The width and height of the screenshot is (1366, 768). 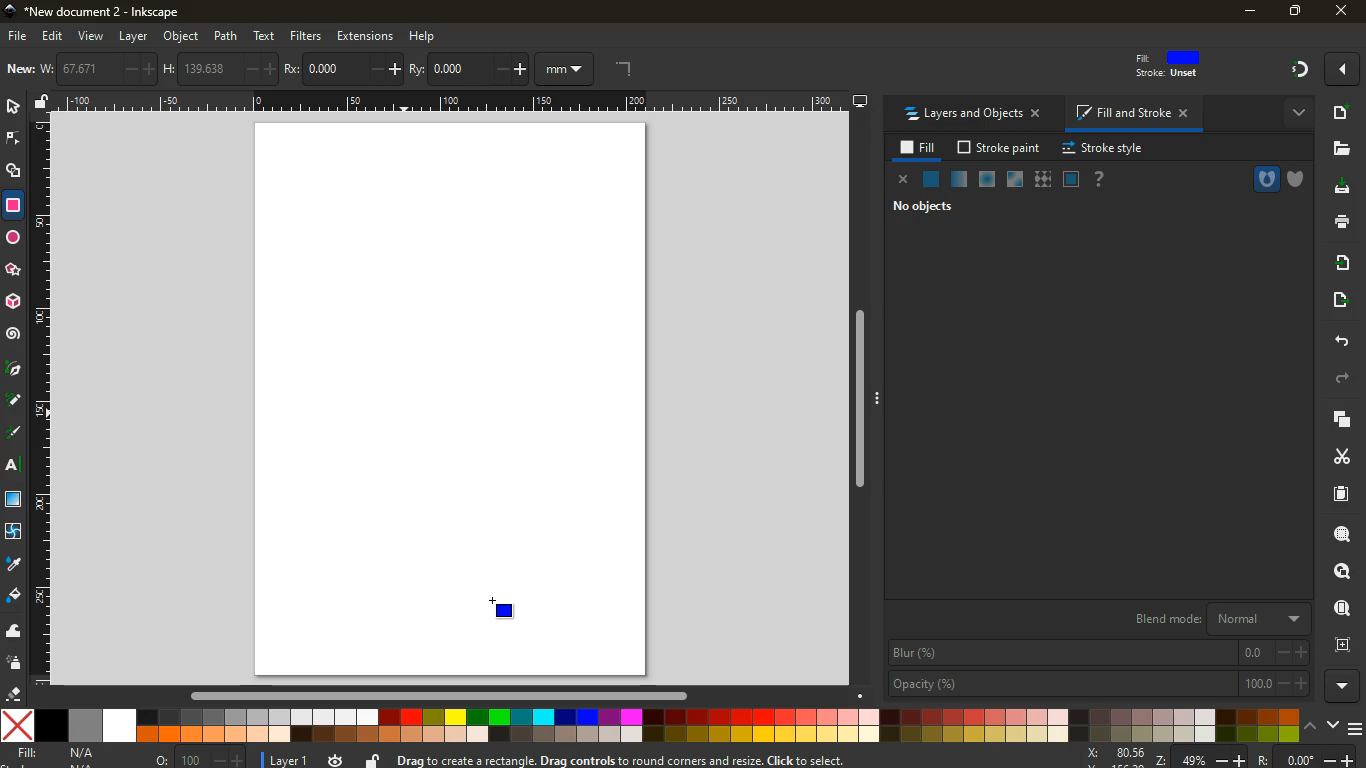 What do you see at coordinates (44, 104) in the screenshot?
I see `unlock` at bounding box center [44, 104].